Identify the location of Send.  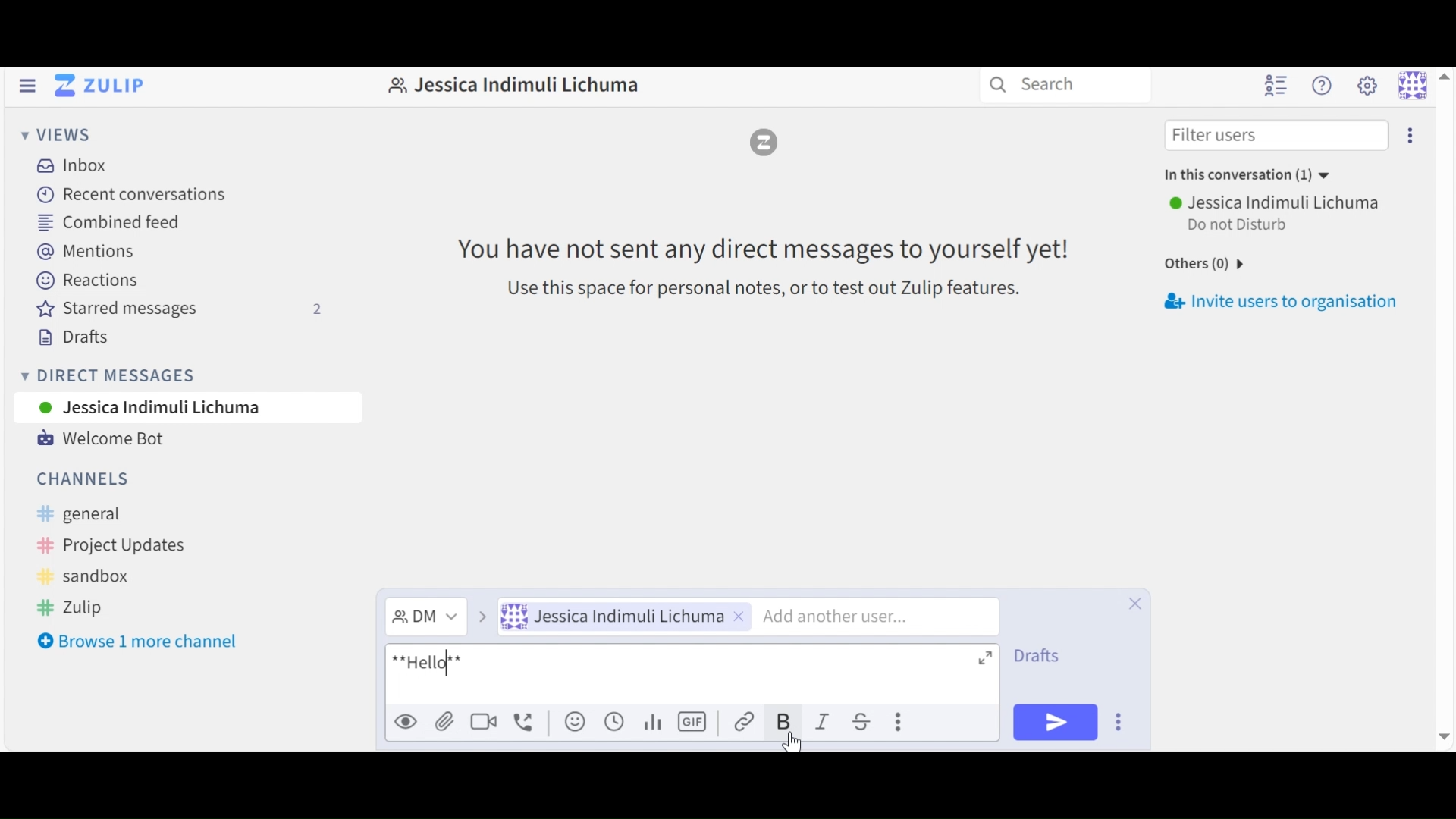
(1055, 721).